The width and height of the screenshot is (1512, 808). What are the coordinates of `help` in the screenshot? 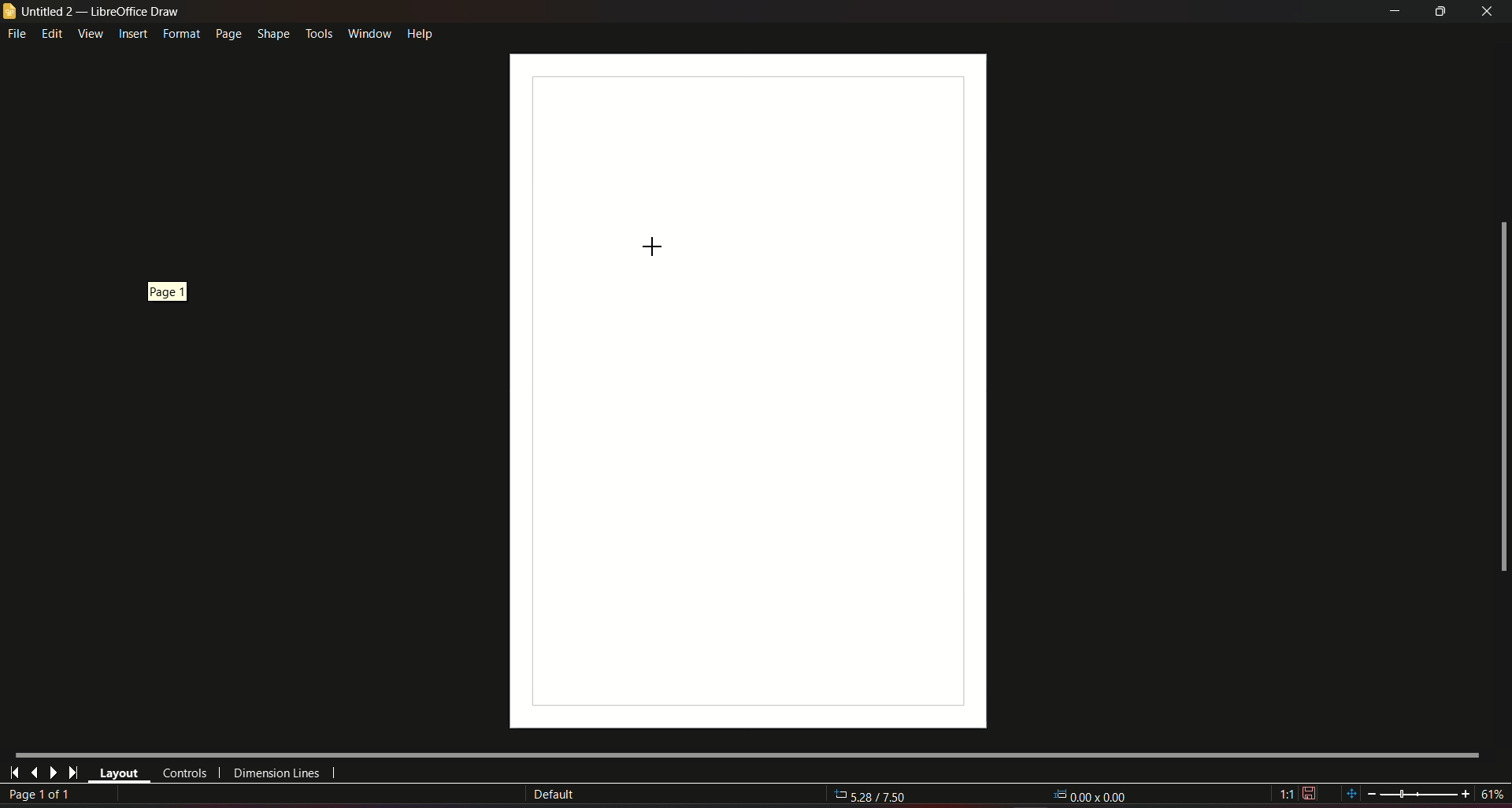 It's located at (421, 32).